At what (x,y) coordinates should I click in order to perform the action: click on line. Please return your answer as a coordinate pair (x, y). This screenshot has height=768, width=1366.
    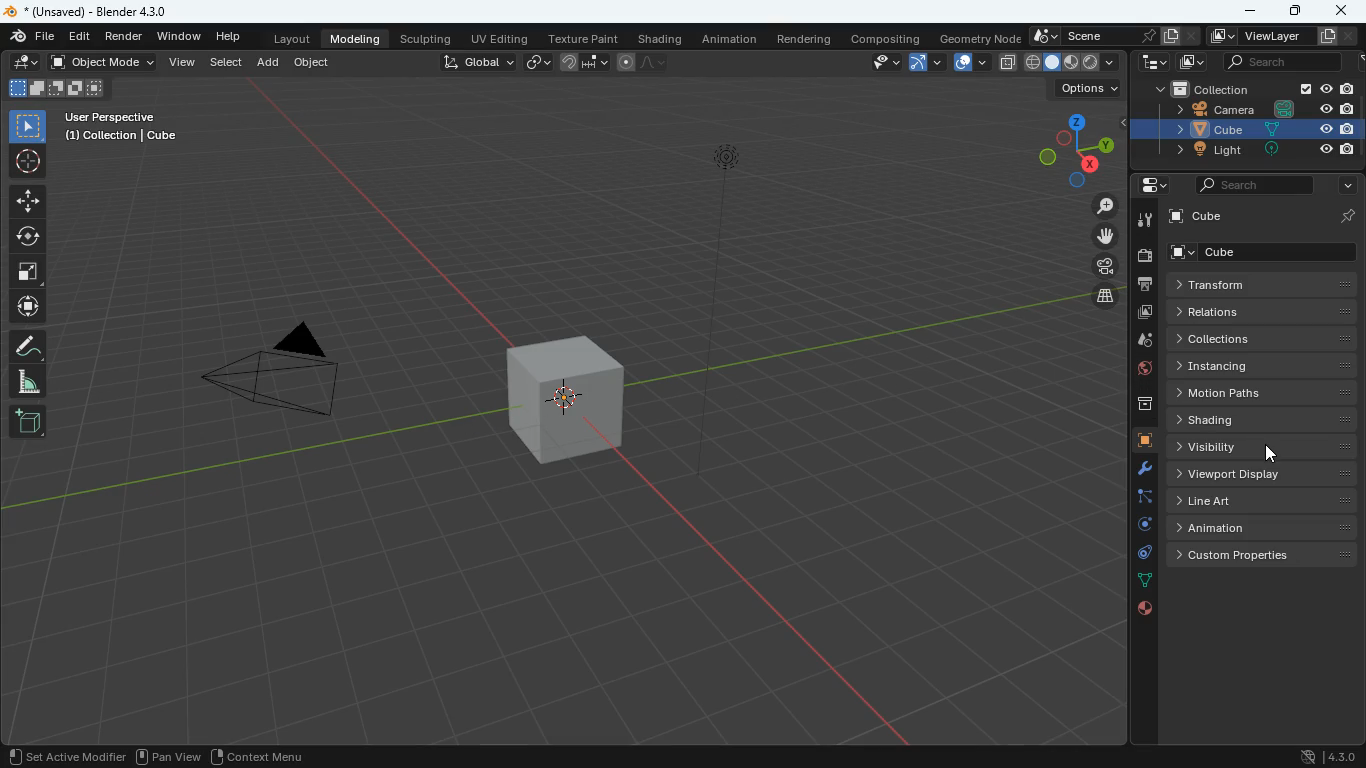
    Looking at the image, I should click on (642, 61).